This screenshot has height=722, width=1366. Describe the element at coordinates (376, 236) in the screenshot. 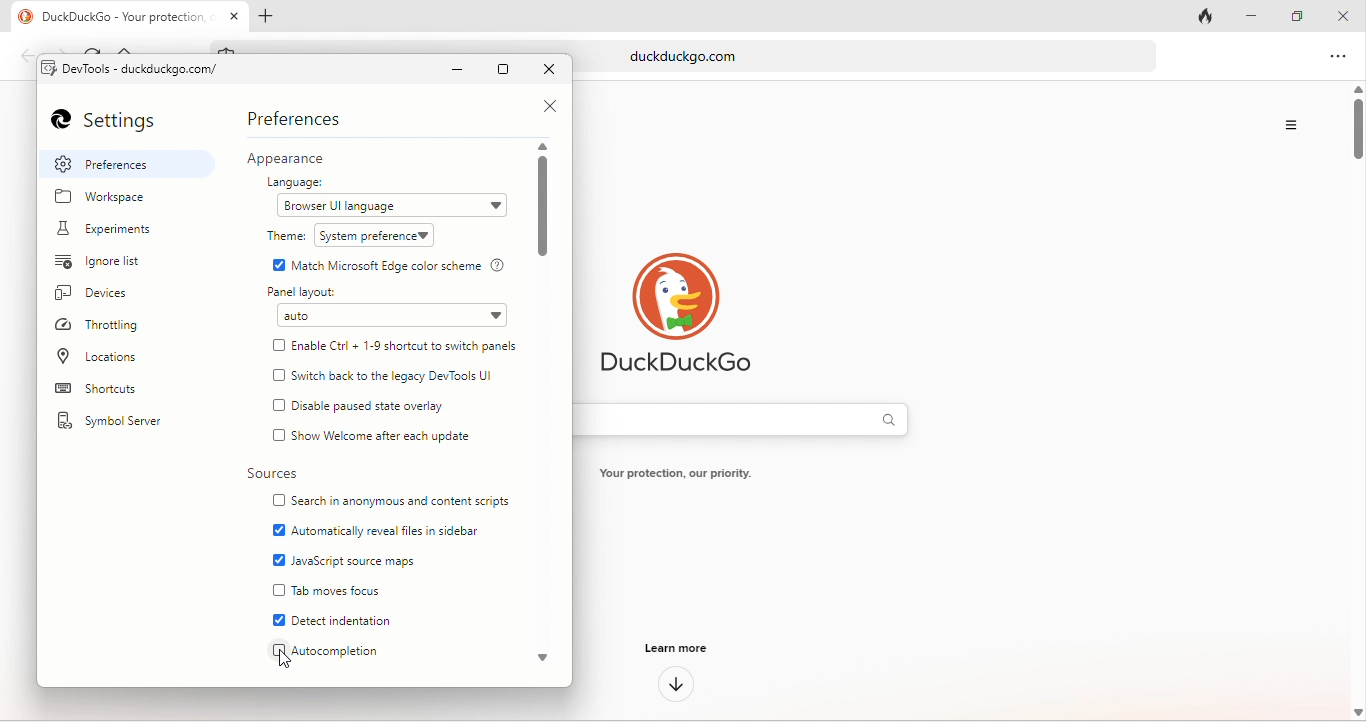

I see `system preference` at that location.